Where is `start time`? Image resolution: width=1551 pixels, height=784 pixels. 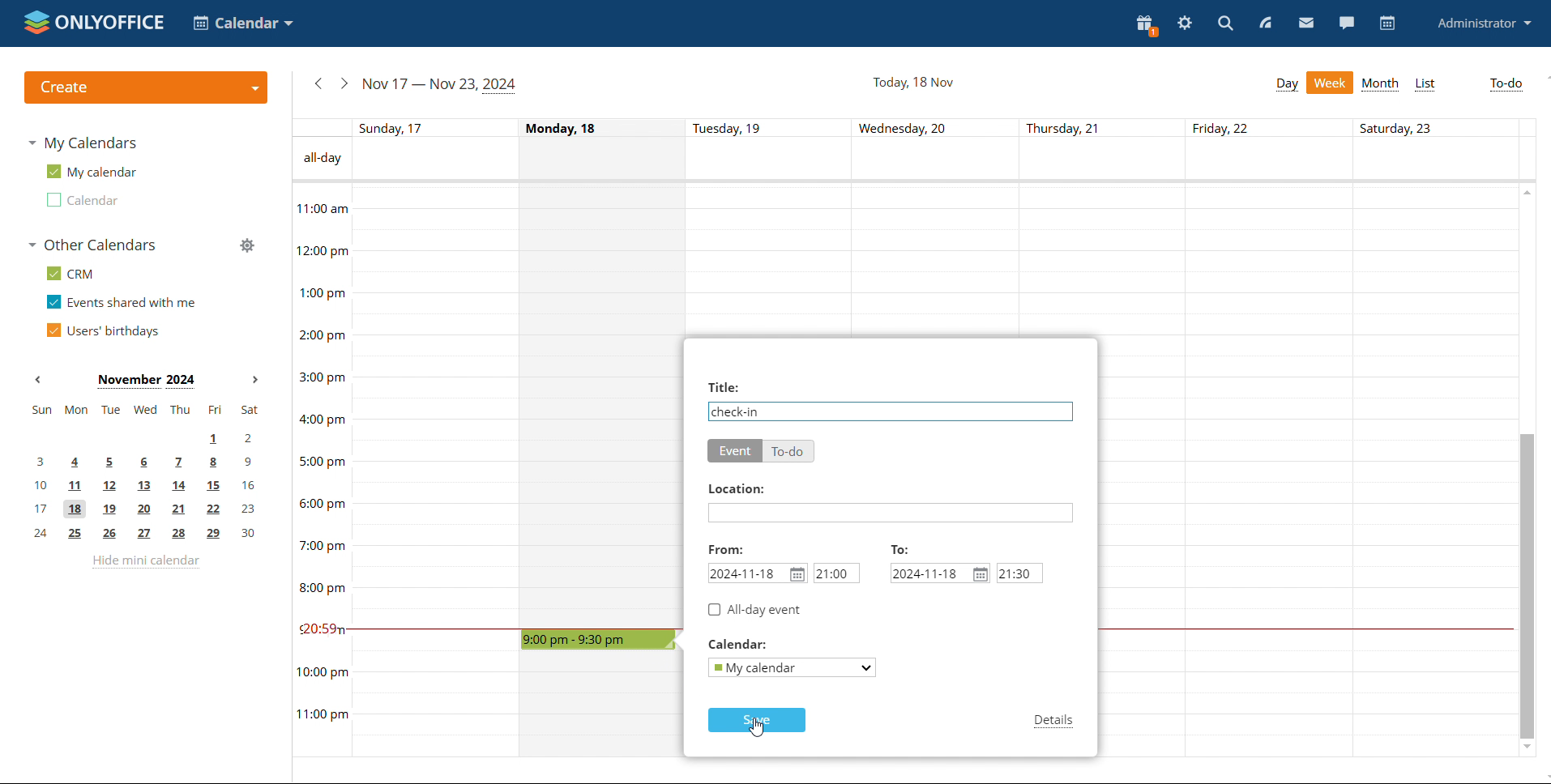 start time is located at coordinates (837, 573).